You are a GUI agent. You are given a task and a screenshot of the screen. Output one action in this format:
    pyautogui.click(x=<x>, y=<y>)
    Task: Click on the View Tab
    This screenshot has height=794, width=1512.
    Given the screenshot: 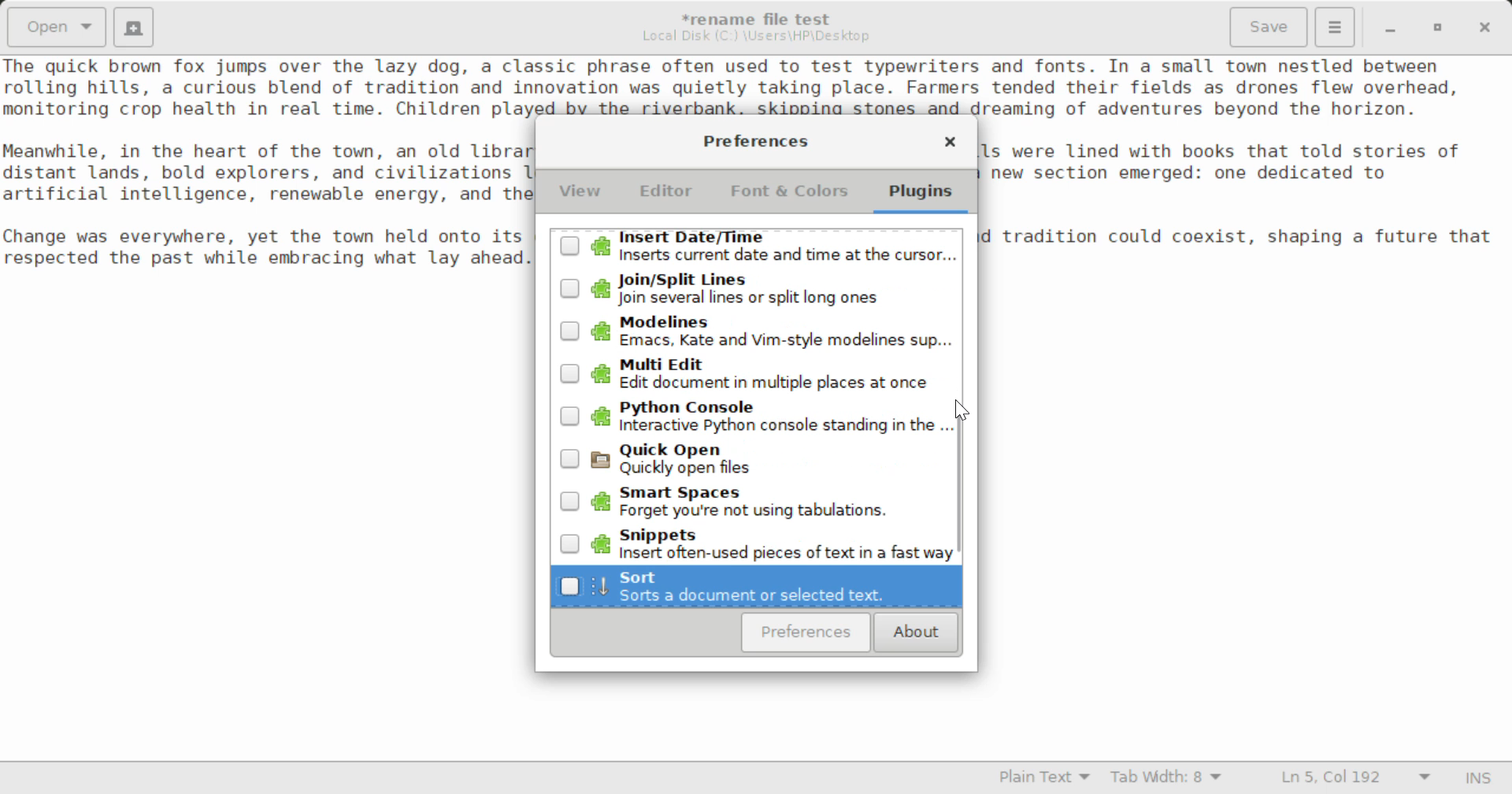 What is the action you would take?
    pyautogui.click(x=580, y=195)
    